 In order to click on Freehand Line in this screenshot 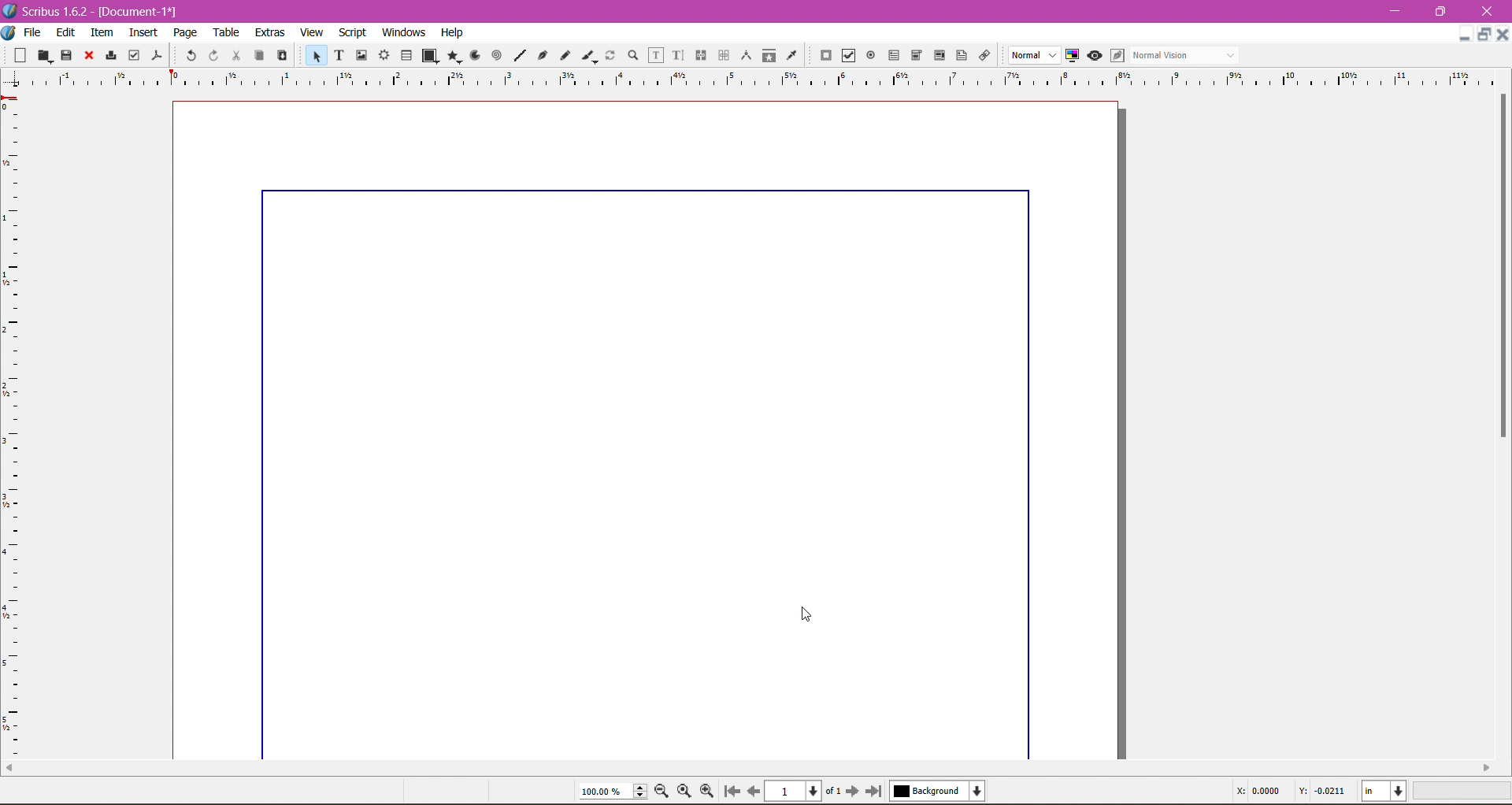, I will do `click(565, 55)`.